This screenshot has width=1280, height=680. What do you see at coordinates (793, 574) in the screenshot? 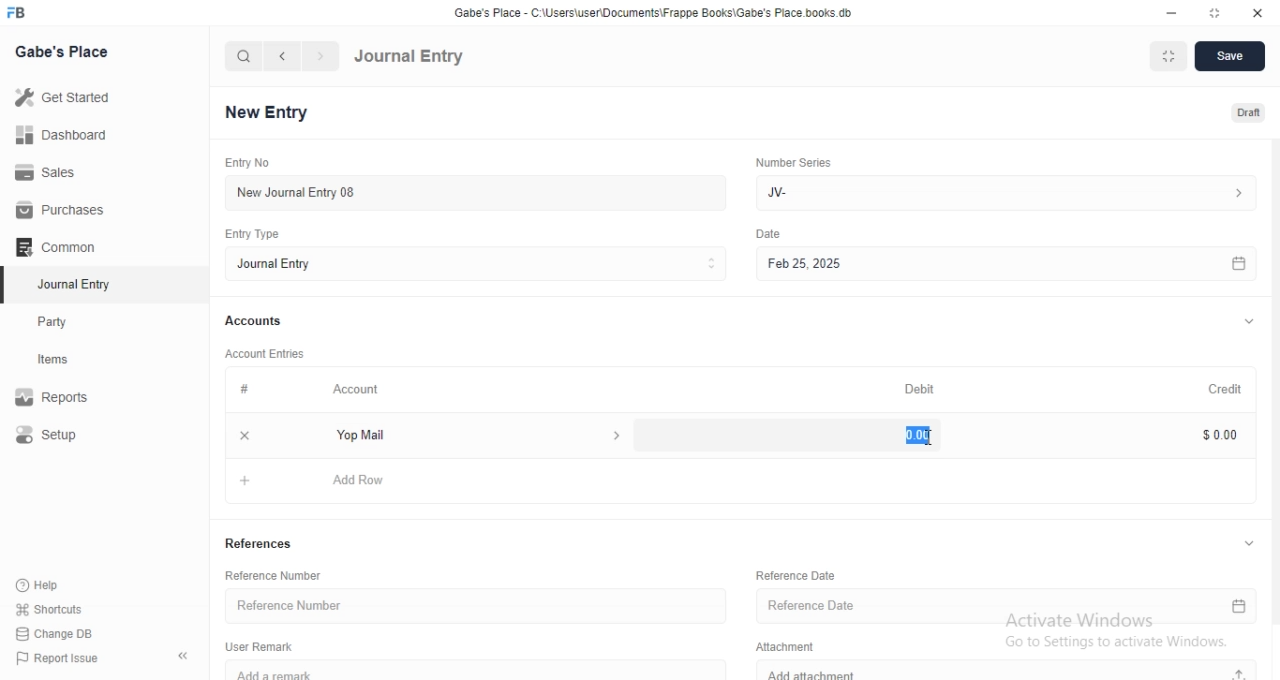
I see `Reference Date` at bounding box center [793, 574].